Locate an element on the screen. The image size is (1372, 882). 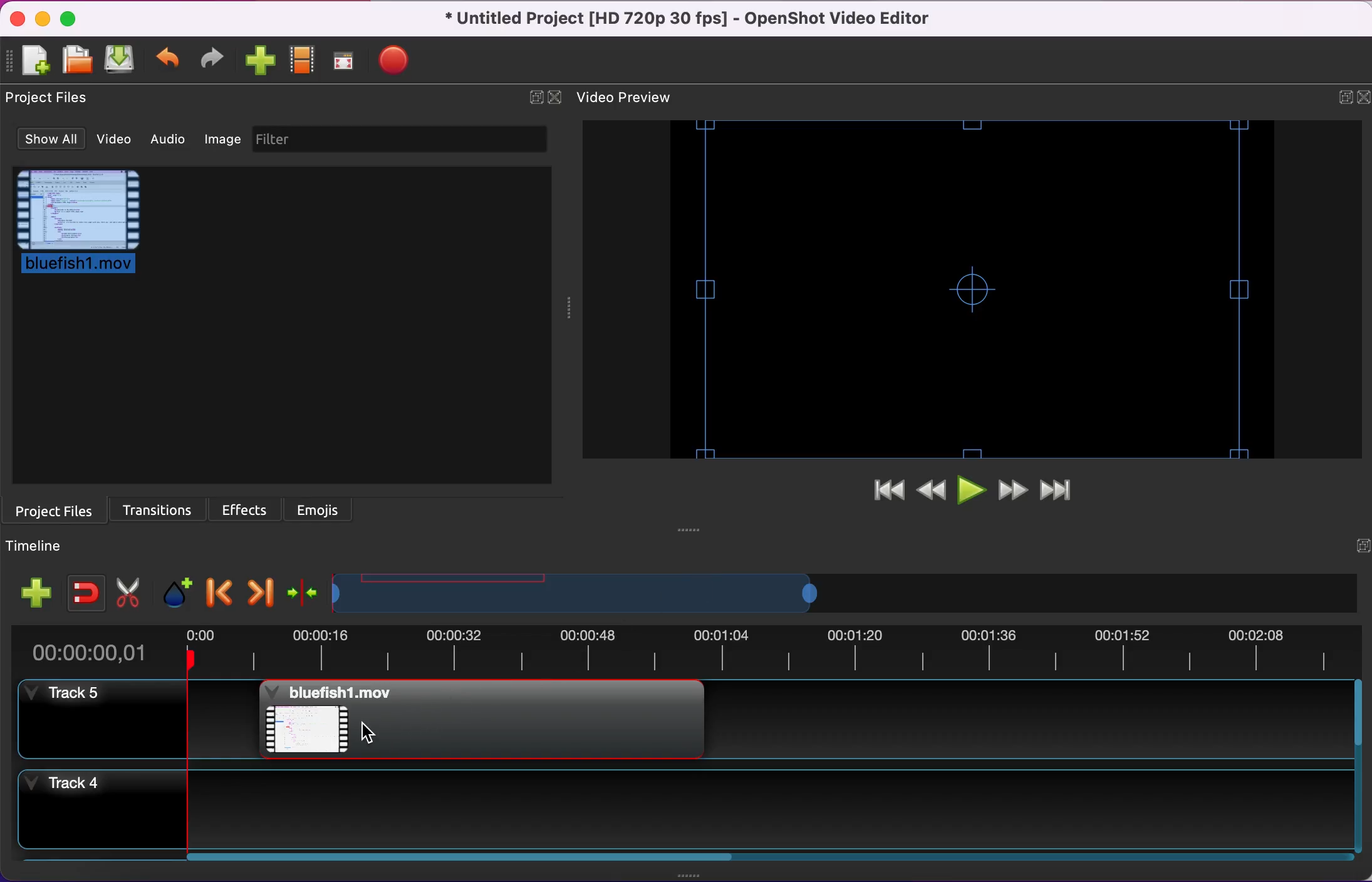
add marker is located at coordinates (177, 594).